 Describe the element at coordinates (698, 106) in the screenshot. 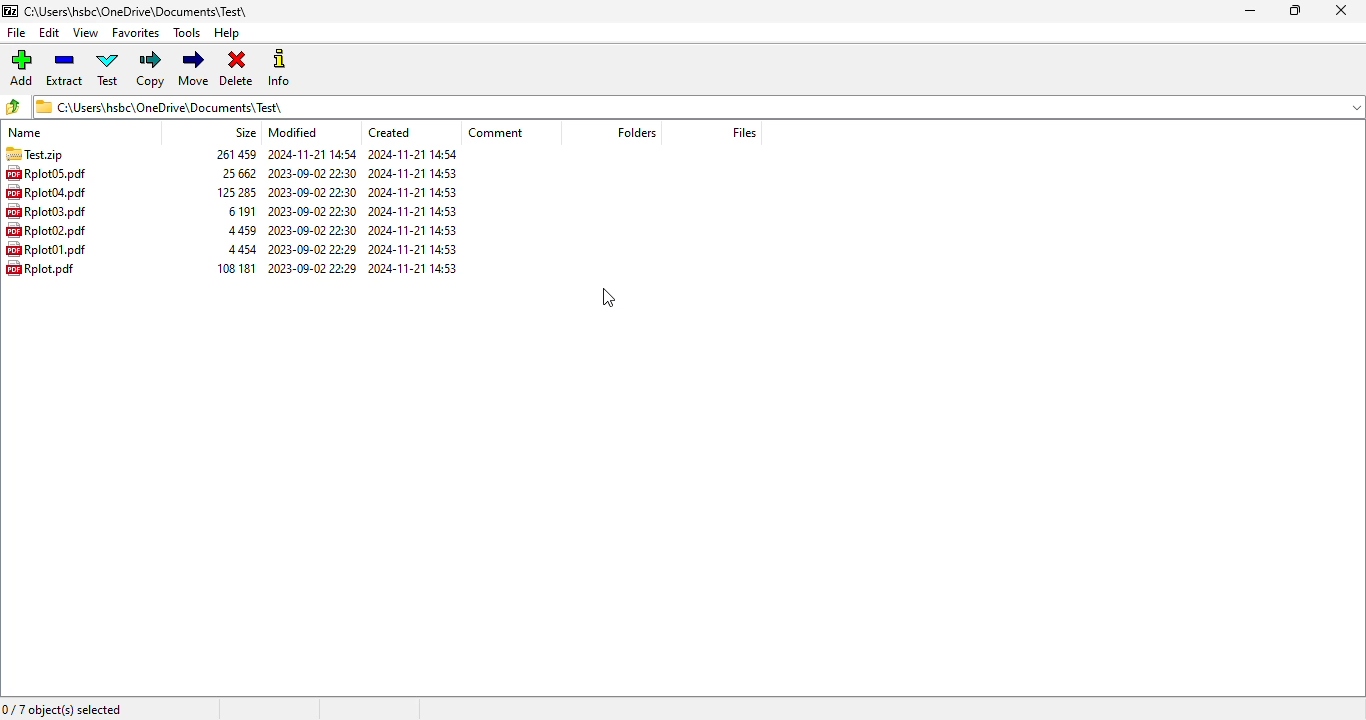

I see `current folder` at that location.